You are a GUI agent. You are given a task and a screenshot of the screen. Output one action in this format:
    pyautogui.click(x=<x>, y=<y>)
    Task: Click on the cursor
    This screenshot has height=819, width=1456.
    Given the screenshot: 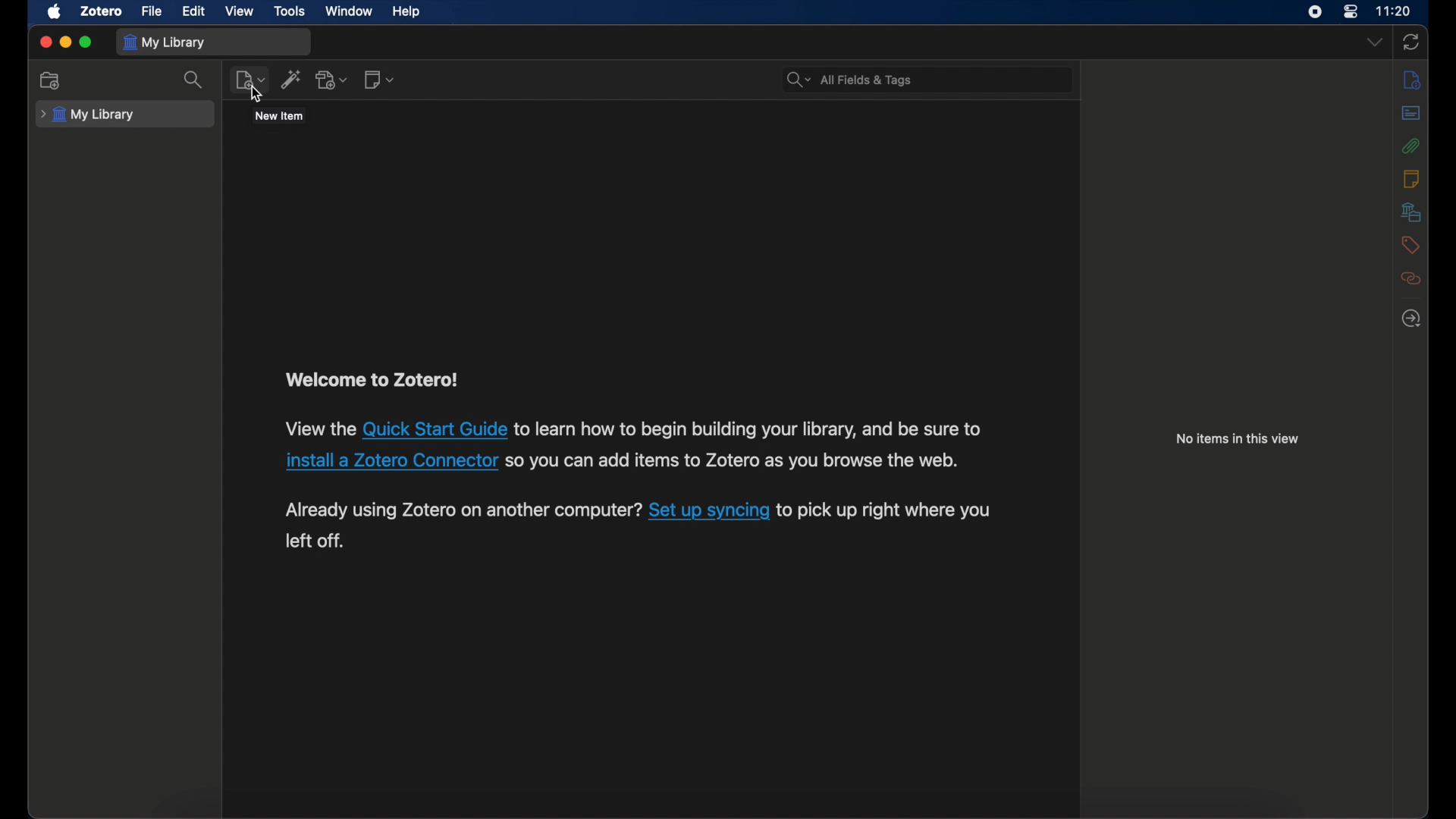 What is the action you would take?
    pyautogui.click(x=256, y=95)
    